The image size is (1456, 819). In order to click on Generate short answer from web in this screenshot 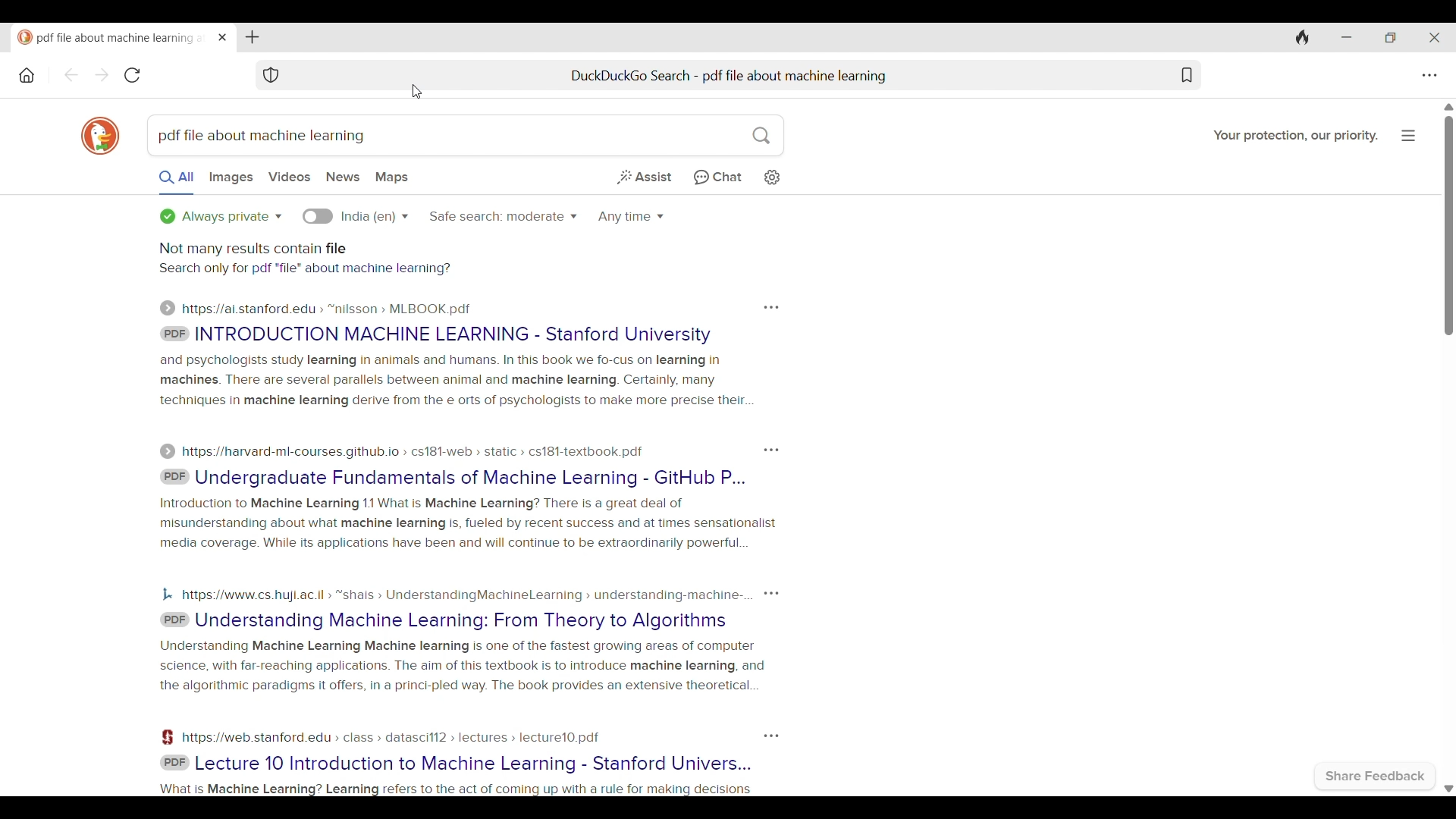, I will do `click(643, 177)`.